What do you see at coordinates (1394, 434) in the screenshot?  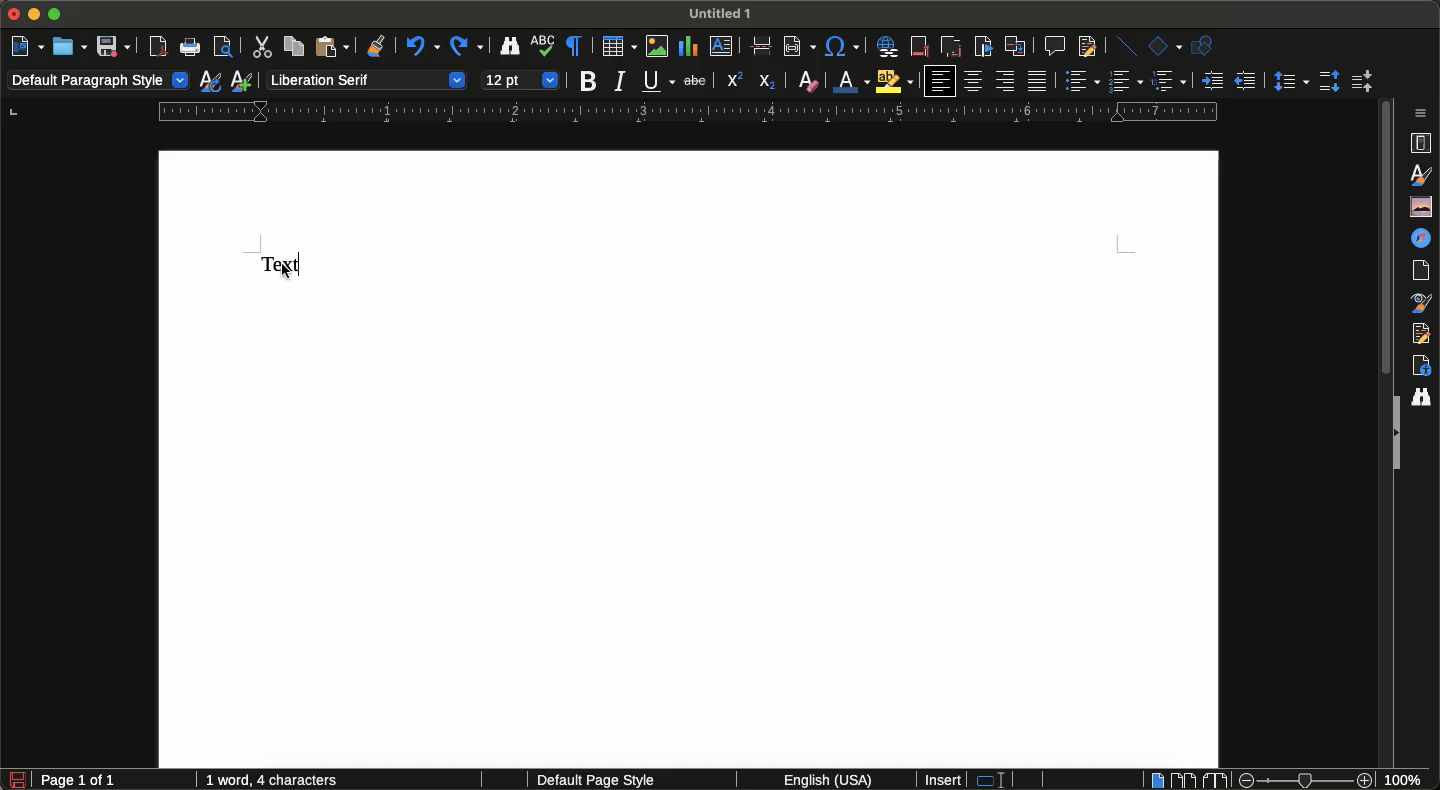 I see `Expand` at bounding box center [1394, 434].